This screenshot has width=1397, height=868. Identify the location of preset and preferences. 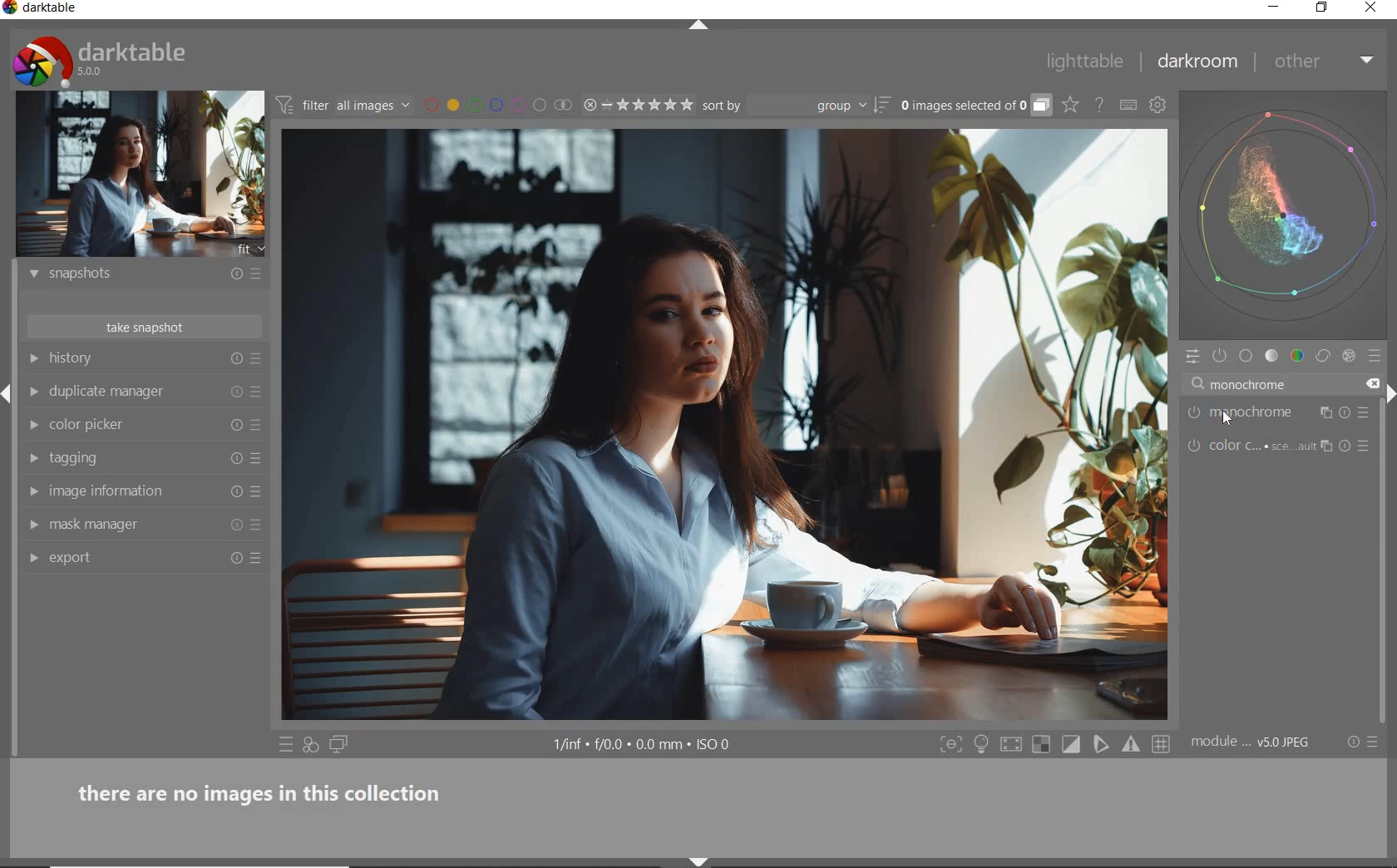
(257, 492).